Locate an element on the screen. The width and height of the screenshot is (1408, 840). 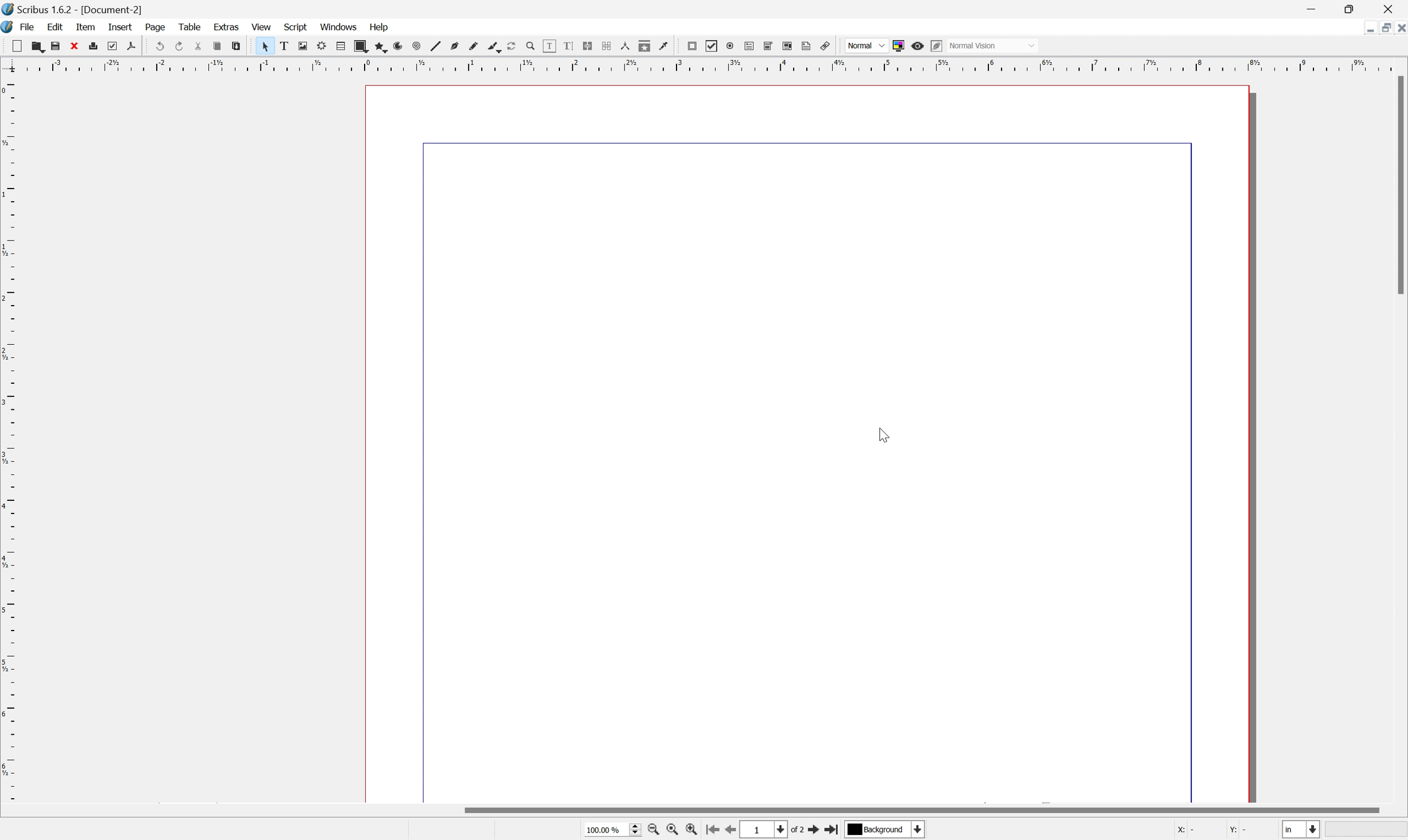
Restore down is located at coordinates (1380, 27).